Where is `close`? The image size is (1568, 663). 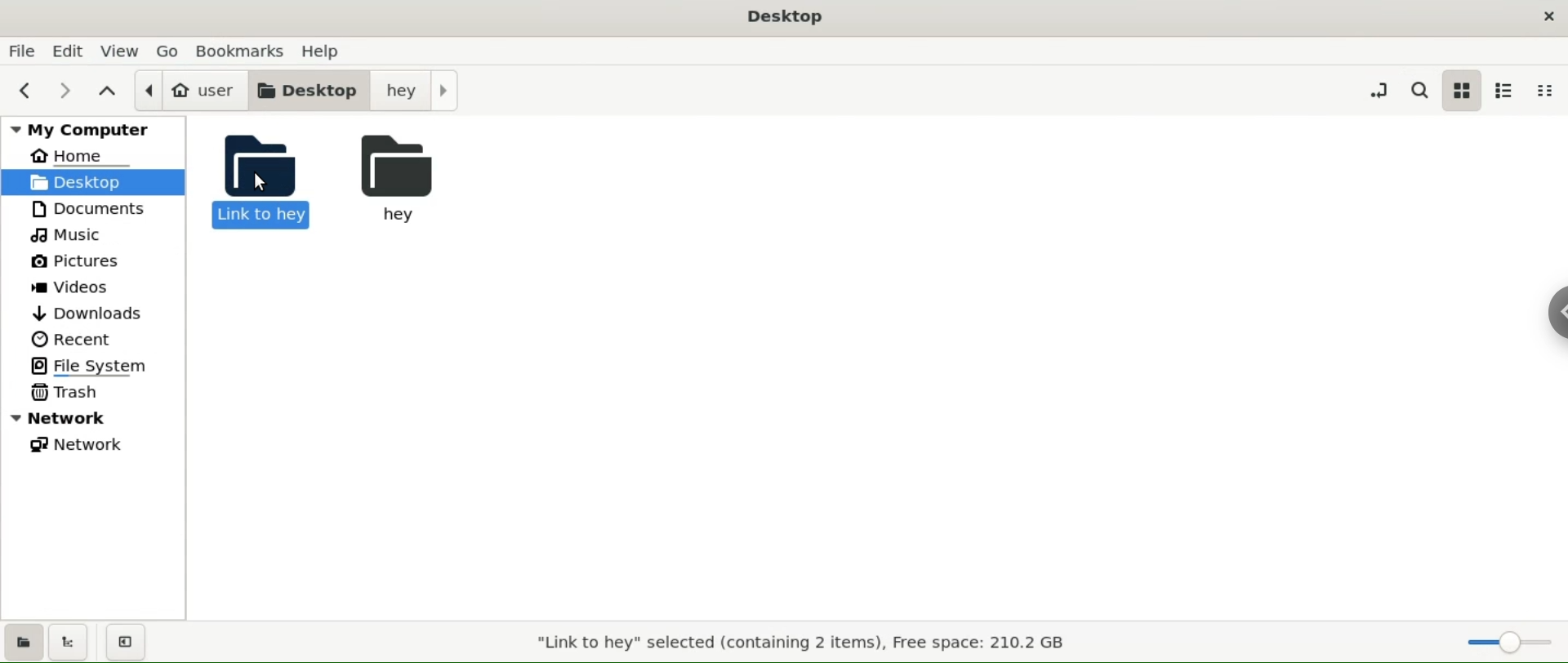
close is located at coordinates (1546, 16).